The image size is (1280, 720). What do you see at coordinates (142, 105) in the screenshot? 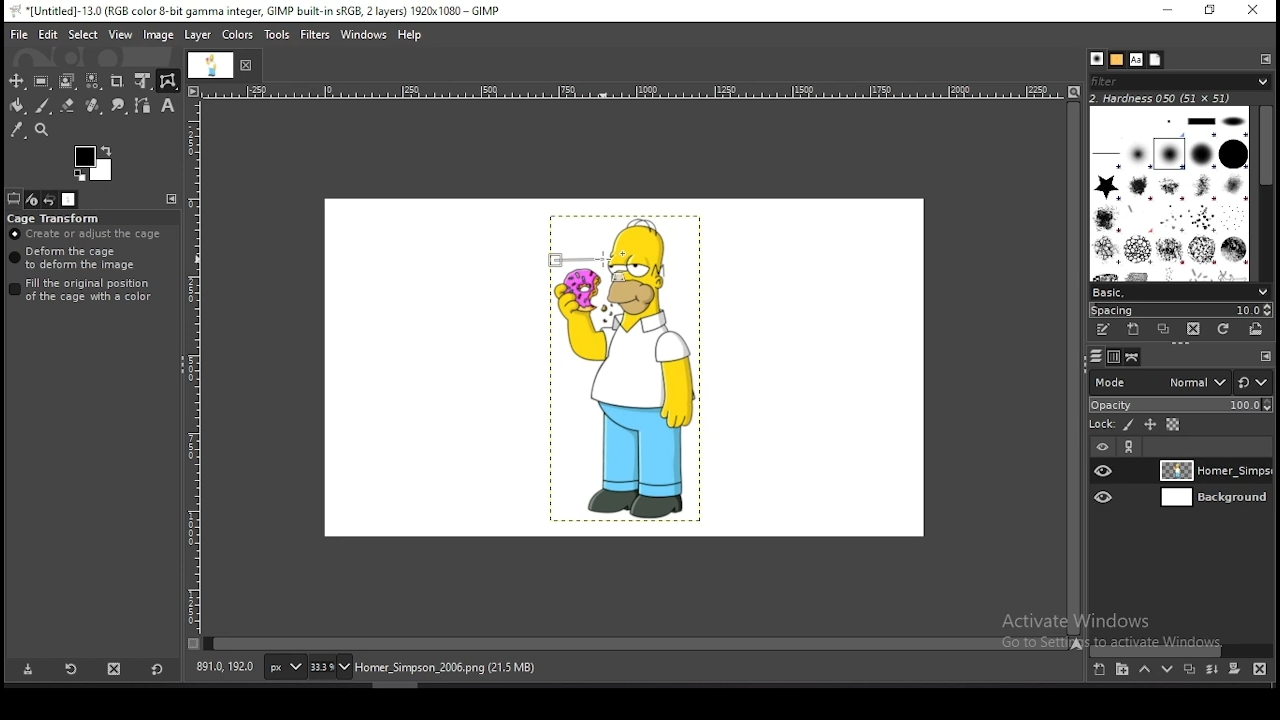
I see `paths tool` at bounding box center [142, 105].